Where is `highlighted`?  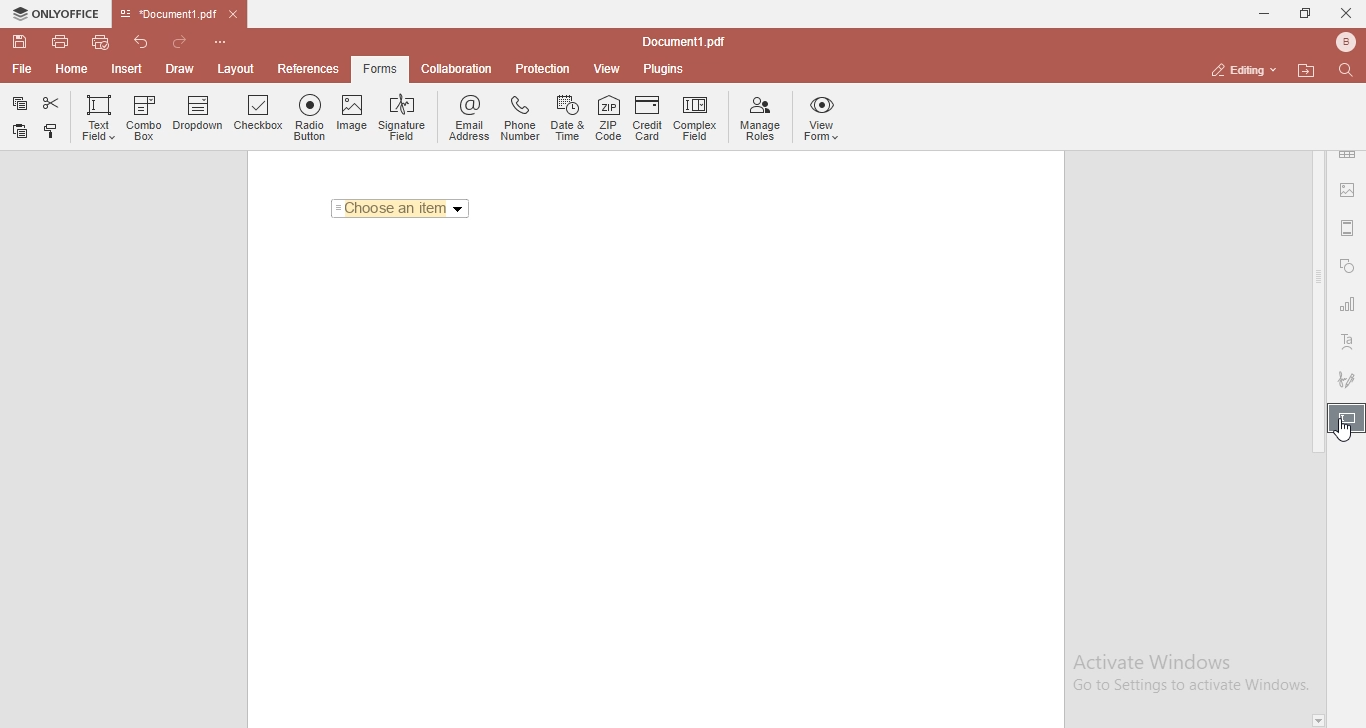
highlighted is located at coordinates (1346, 420).